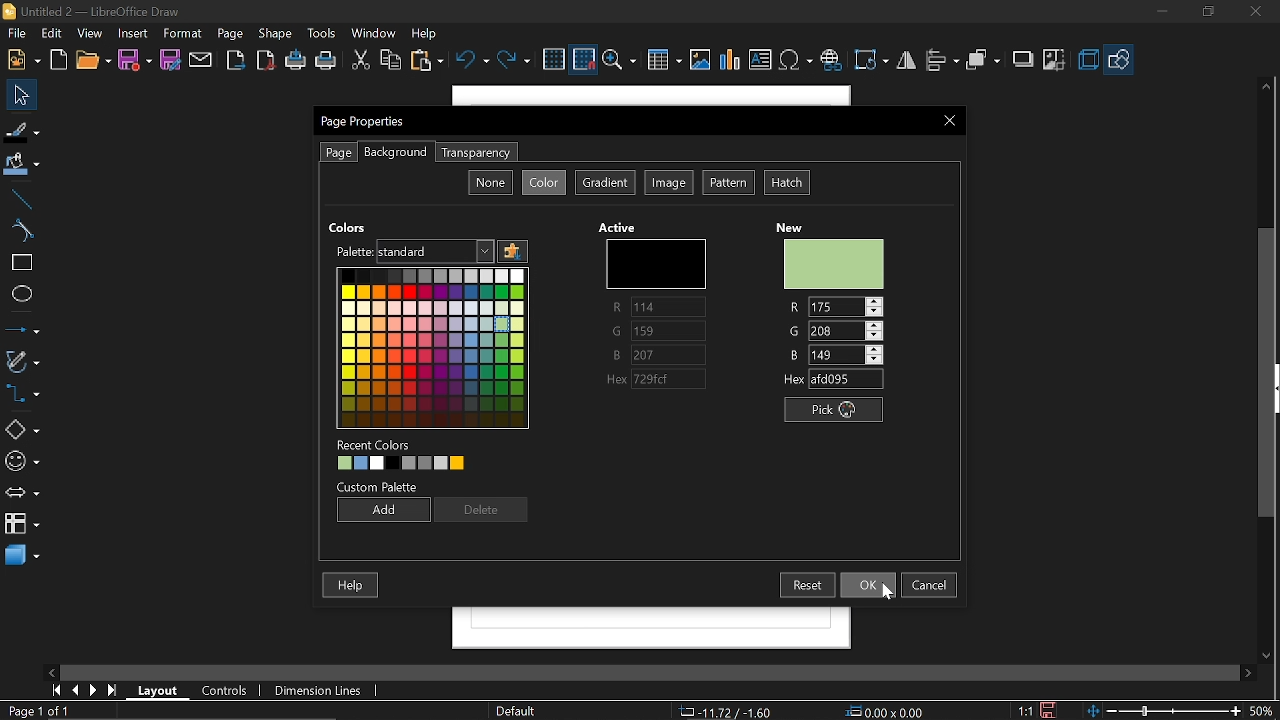 The height and width of the screenshot is (720, 1280). Describe the element at coordinates (831, 61) in the screenshot. I see `Insert hyprelink` at that location.